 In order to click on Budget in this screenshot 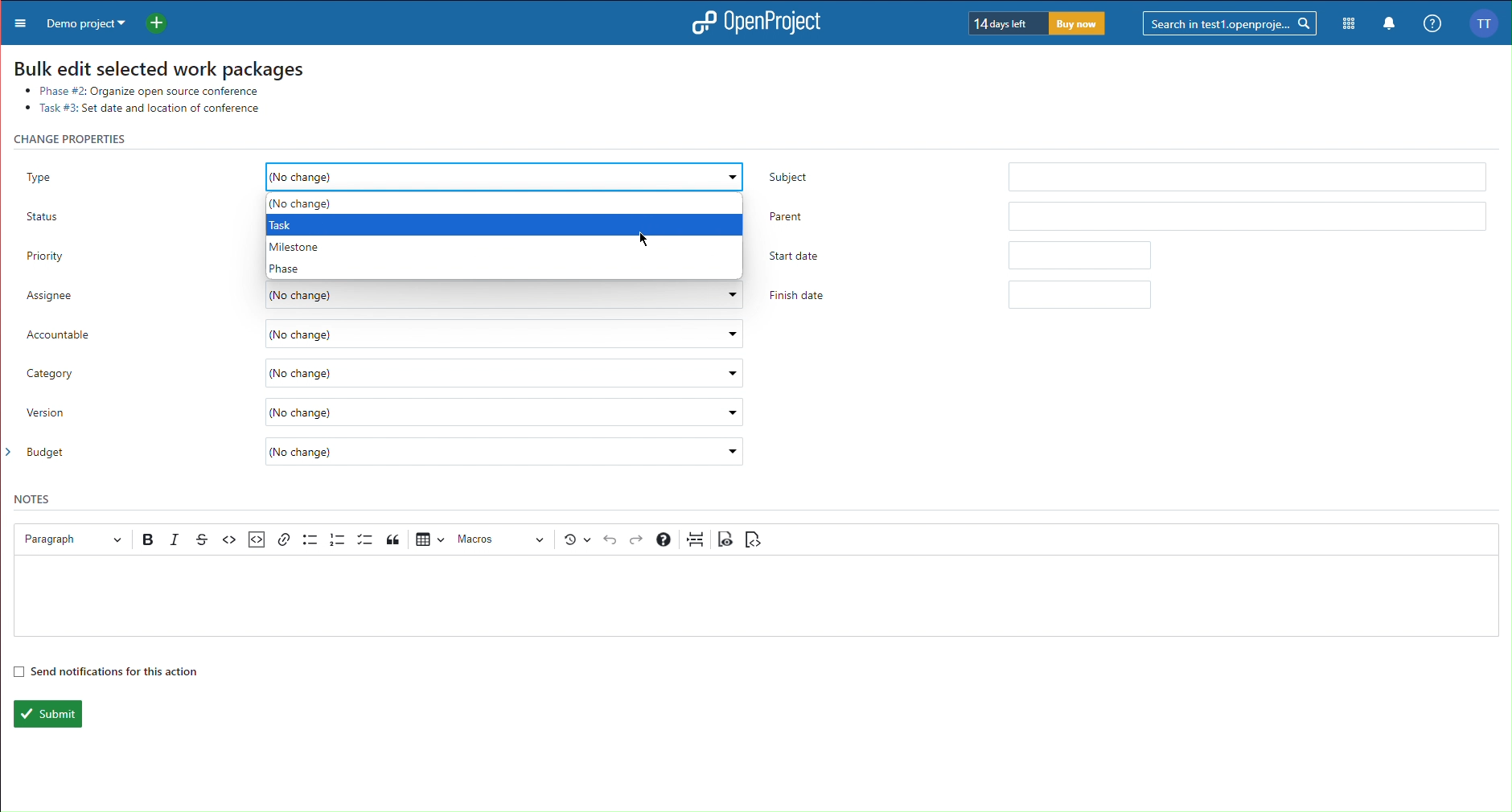, I will do `click(386, 455)`.